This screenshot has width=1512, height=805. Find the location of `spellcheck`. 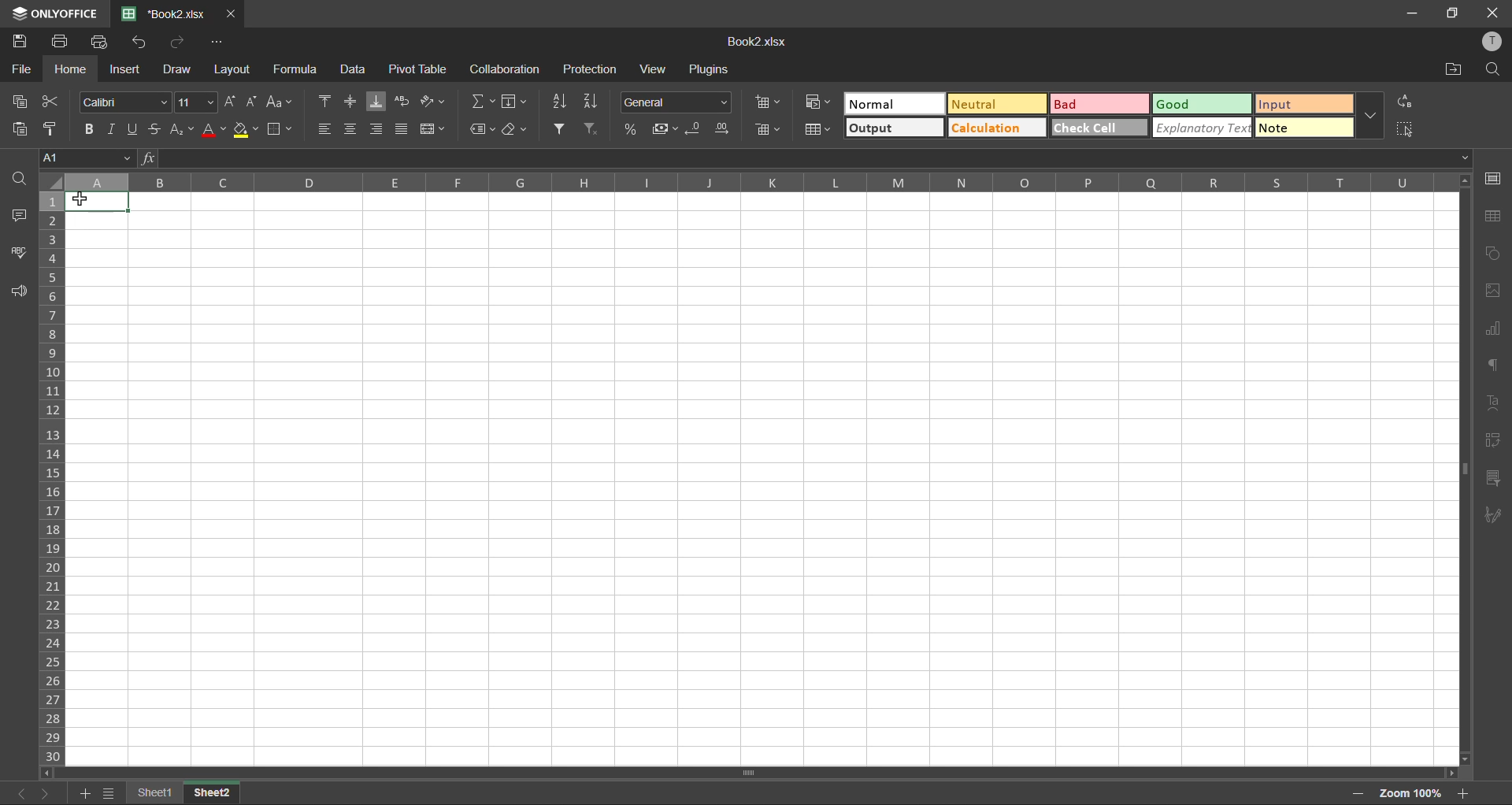

spellcheck is located at coordinates (20, 251).